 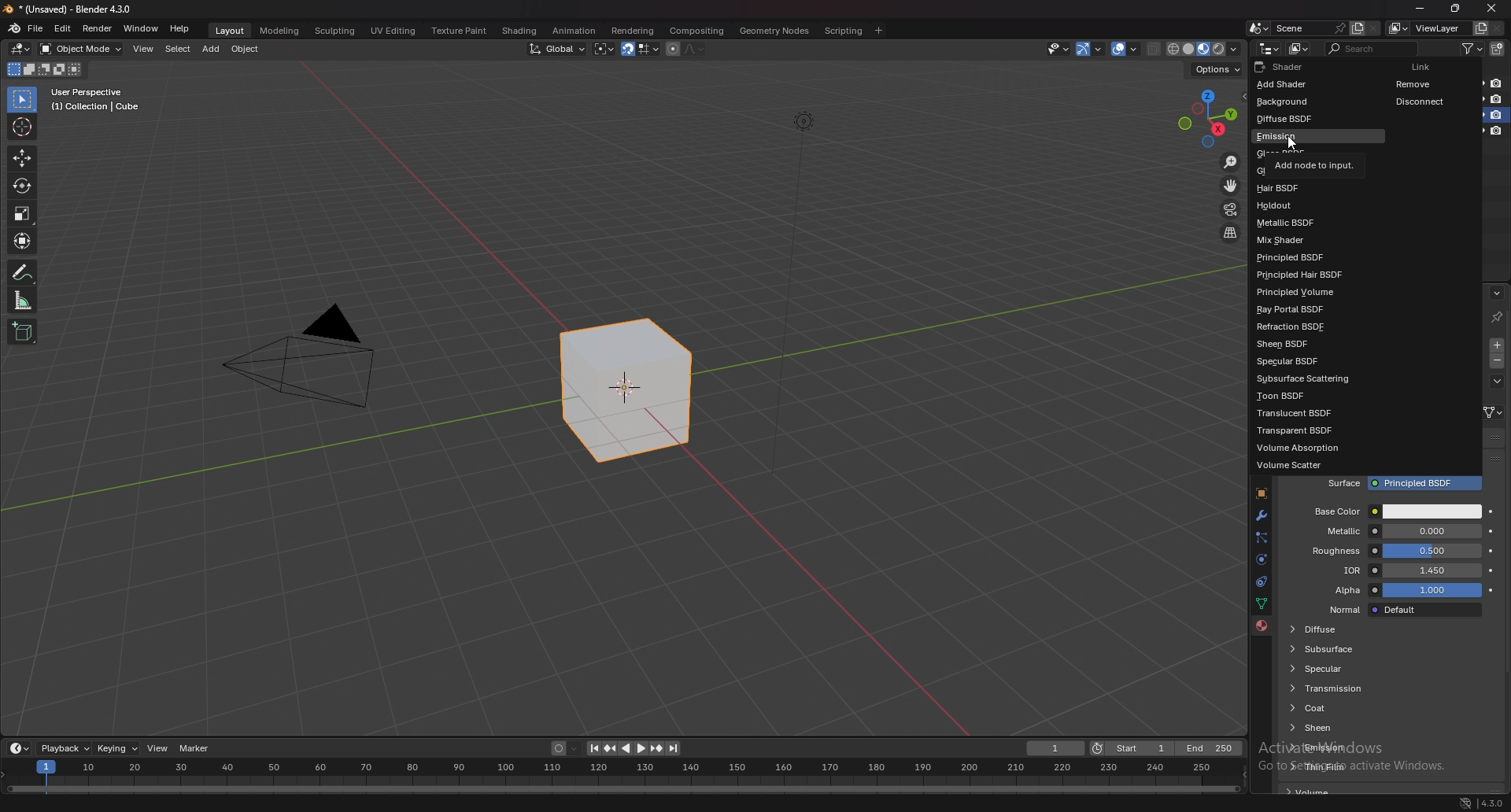 What do you see at coordinates (118, 747) in the screenshot?
I see `keying` at bounding box center [118, 747].